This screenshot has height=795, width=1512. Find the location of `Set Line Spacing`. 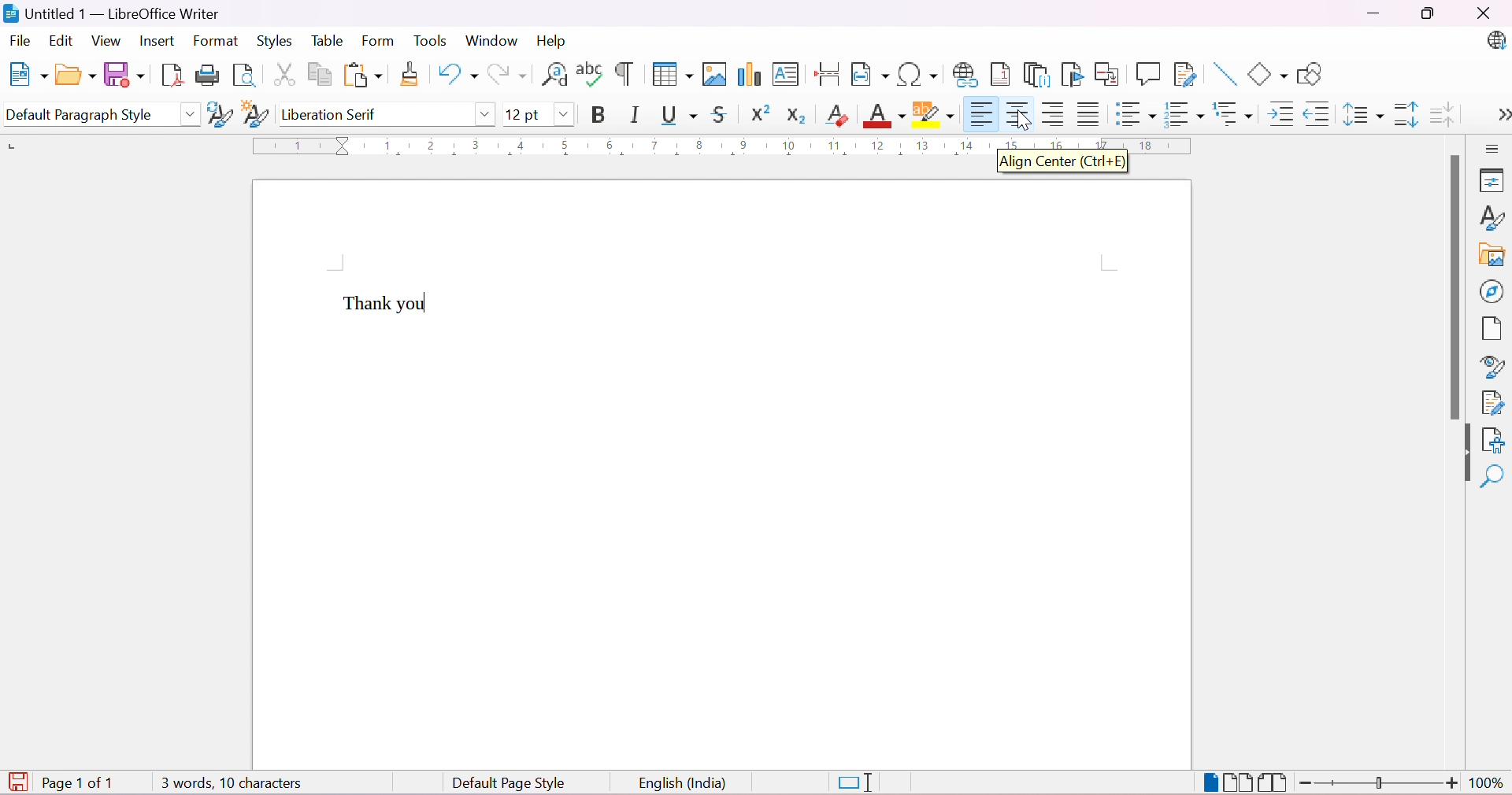

Set Line Spacing is located at coordinates (1362, 112).